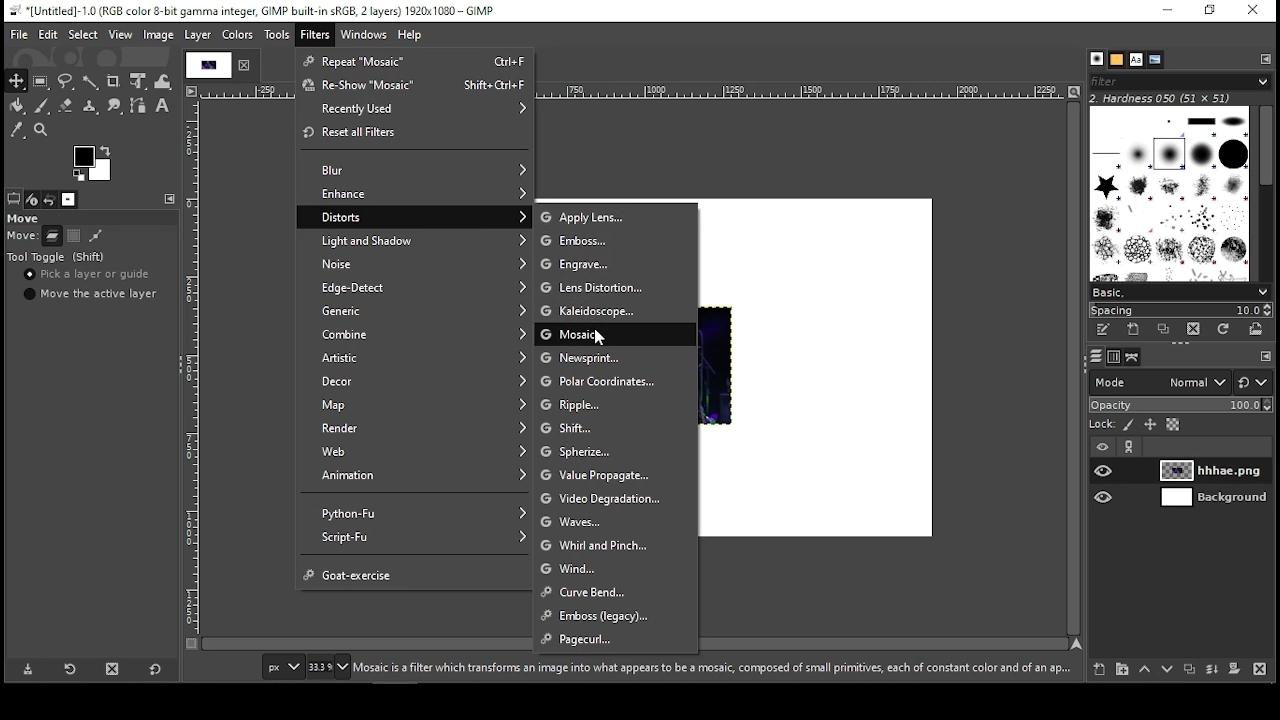 The height and width of the screenshot is (720, 1280). What do you see at coordinates (415, 312) in the screenshot?
I see `generic` at bounding box center [415, 312].